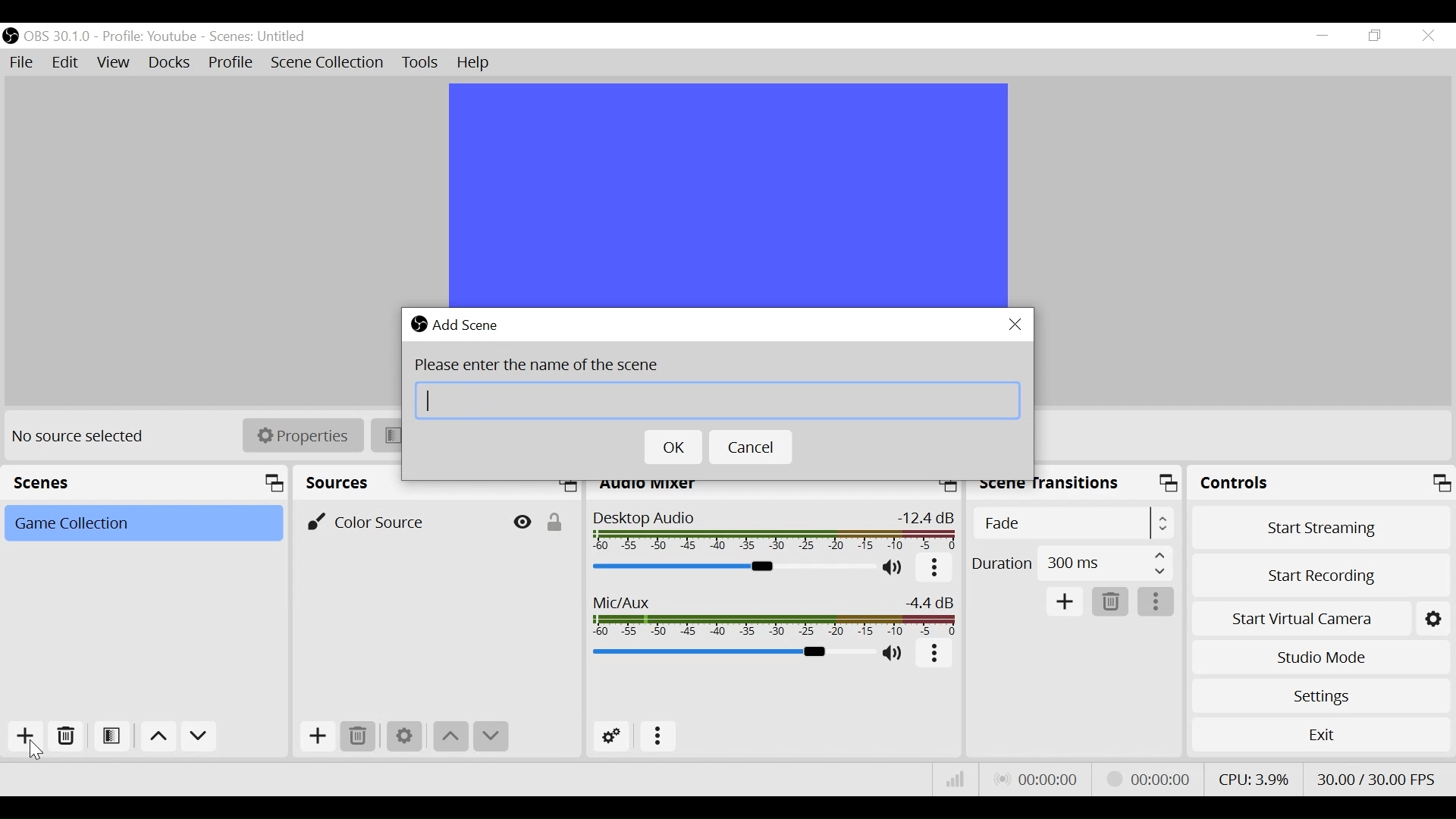 This screenshot has height=819, width=1456. I want to click on Setting, so click(1434, 616).